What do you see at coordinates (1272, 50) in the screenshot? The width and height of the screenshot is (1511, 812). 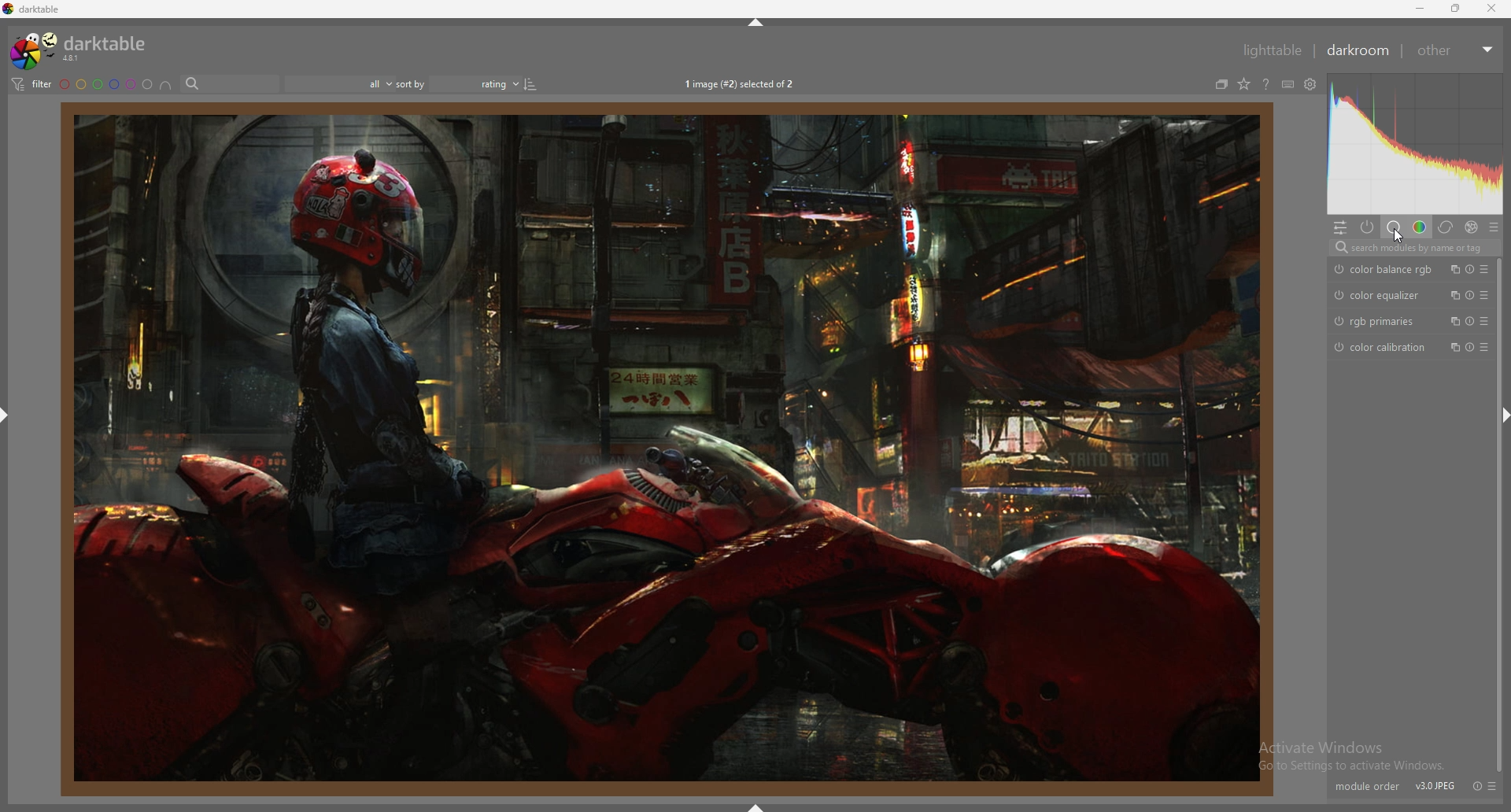 I see `lighttable` at bounding box center [1272, 50].